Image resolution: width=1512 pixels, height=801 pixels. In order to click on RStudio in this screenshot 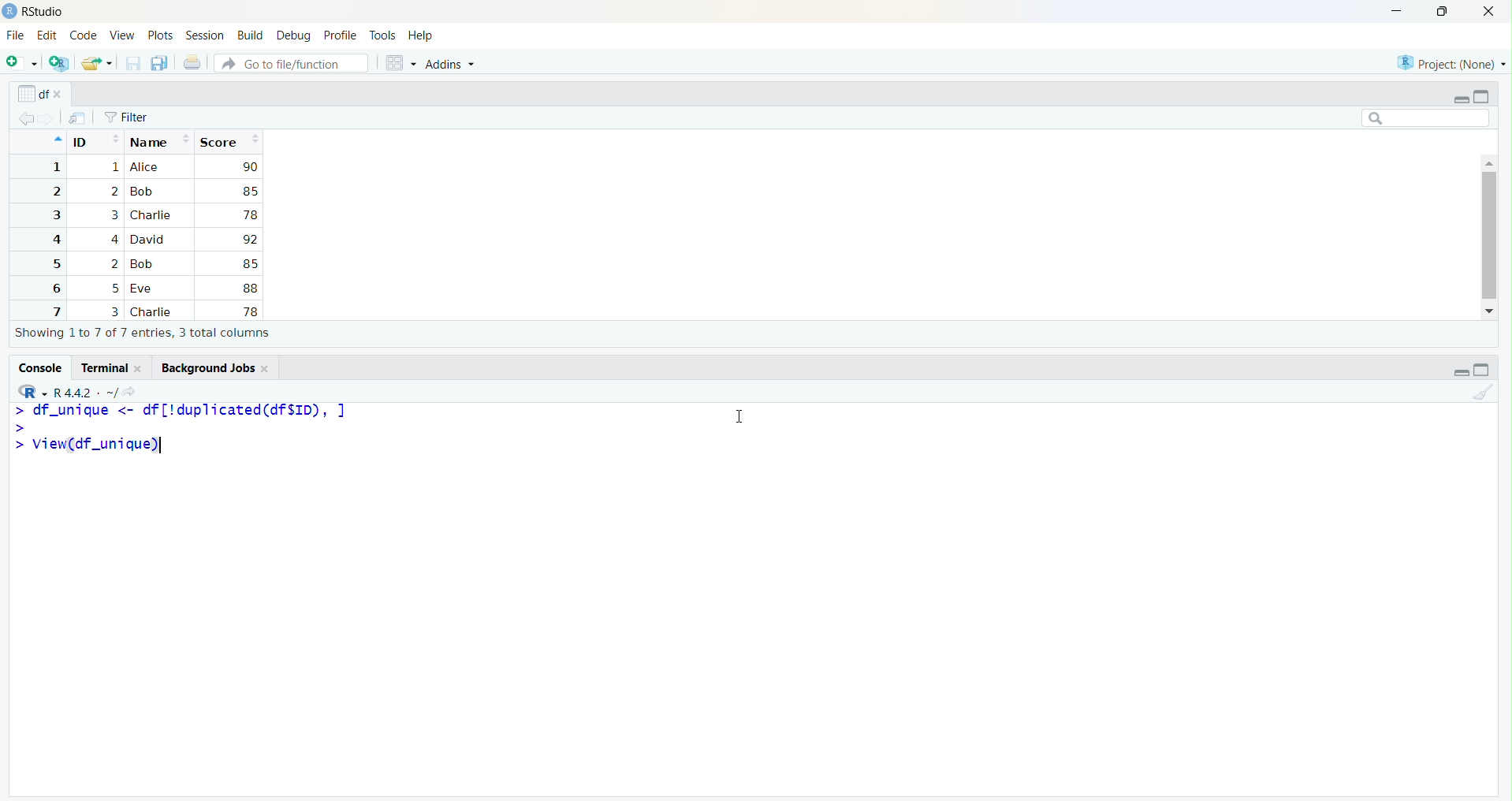, I will do `click(44, 12)`.